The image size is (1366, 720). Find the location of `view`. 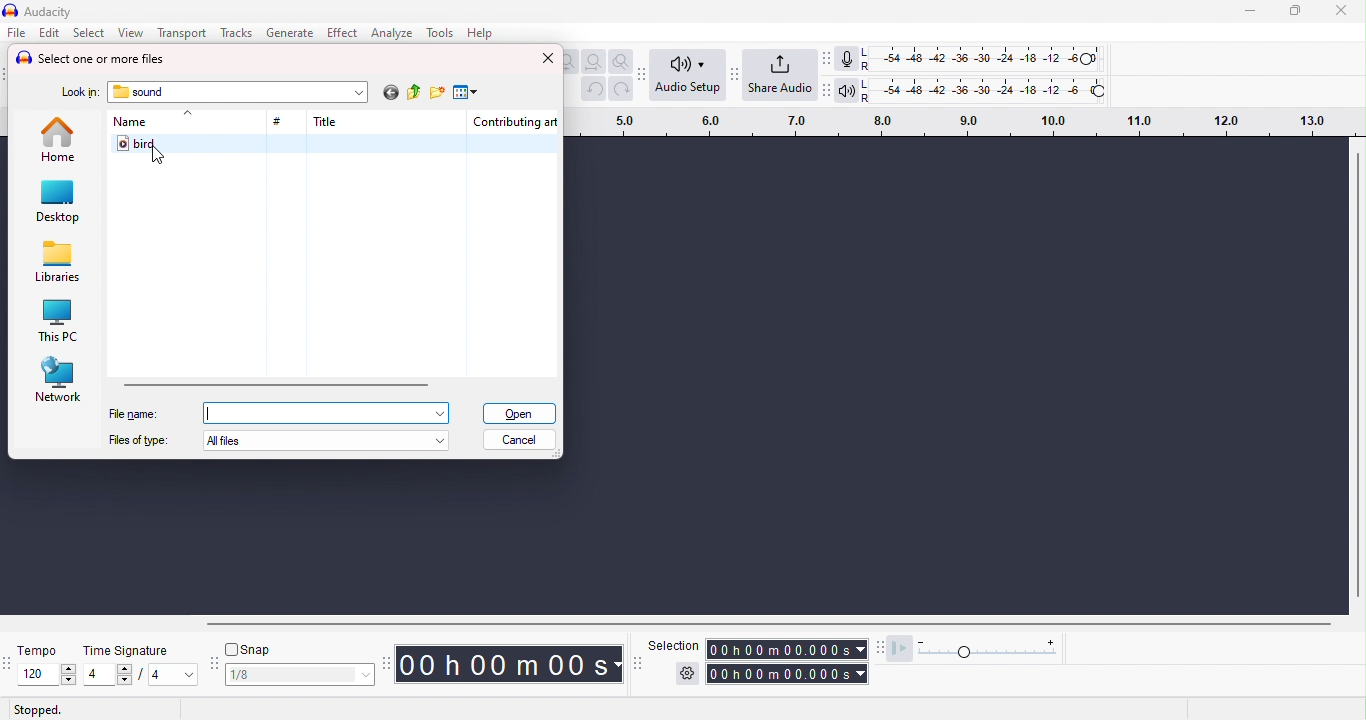

view is located at coordinates (130, 33).